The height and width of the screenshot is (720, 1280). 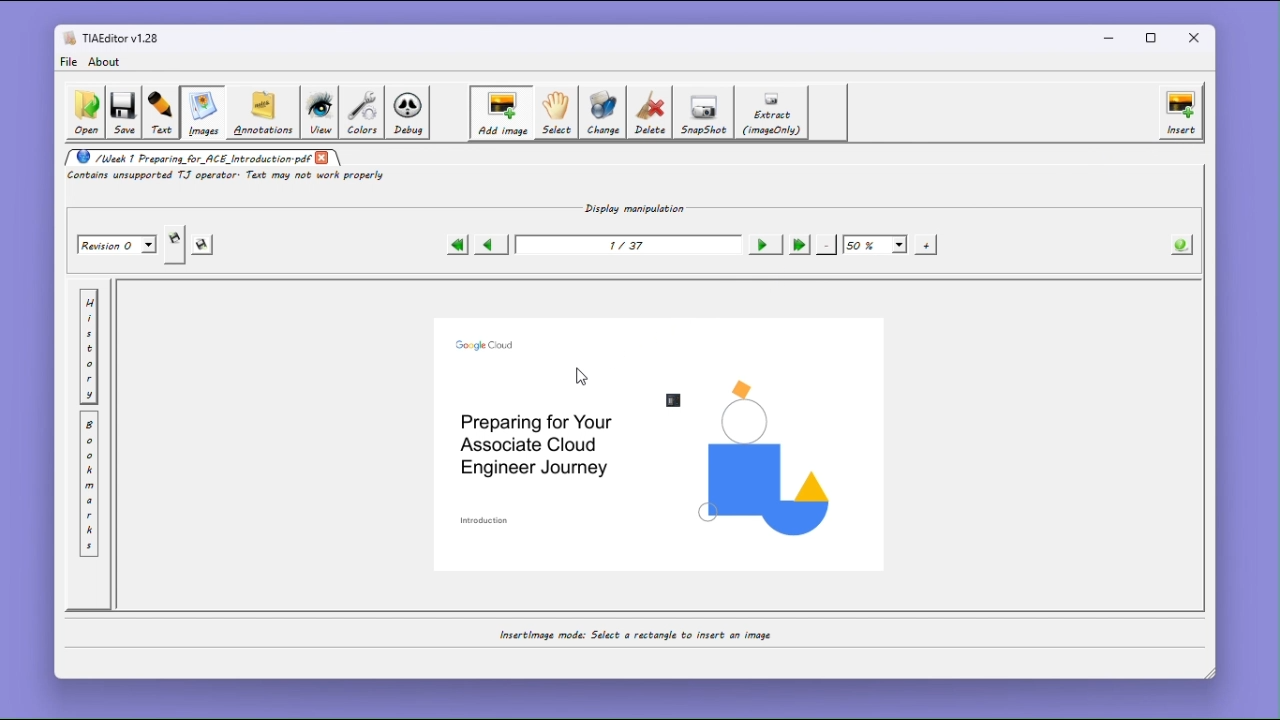 What do you see at coordinates (319, 113) in the screenshot?
I see `view ` at bounding box center [319, 113].